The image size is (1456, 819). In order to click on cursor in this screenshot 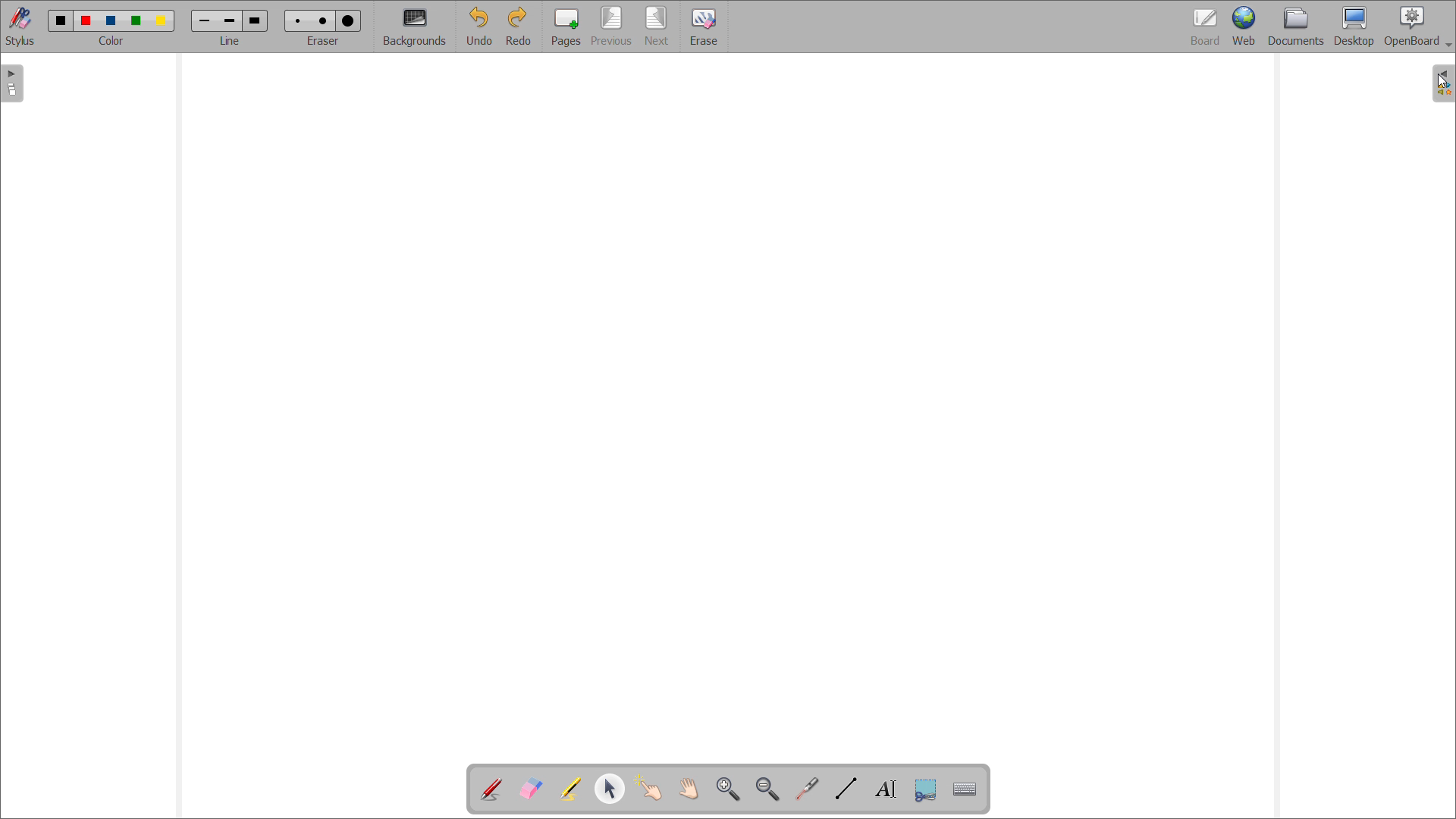, I will do `click(1442, 80)`.